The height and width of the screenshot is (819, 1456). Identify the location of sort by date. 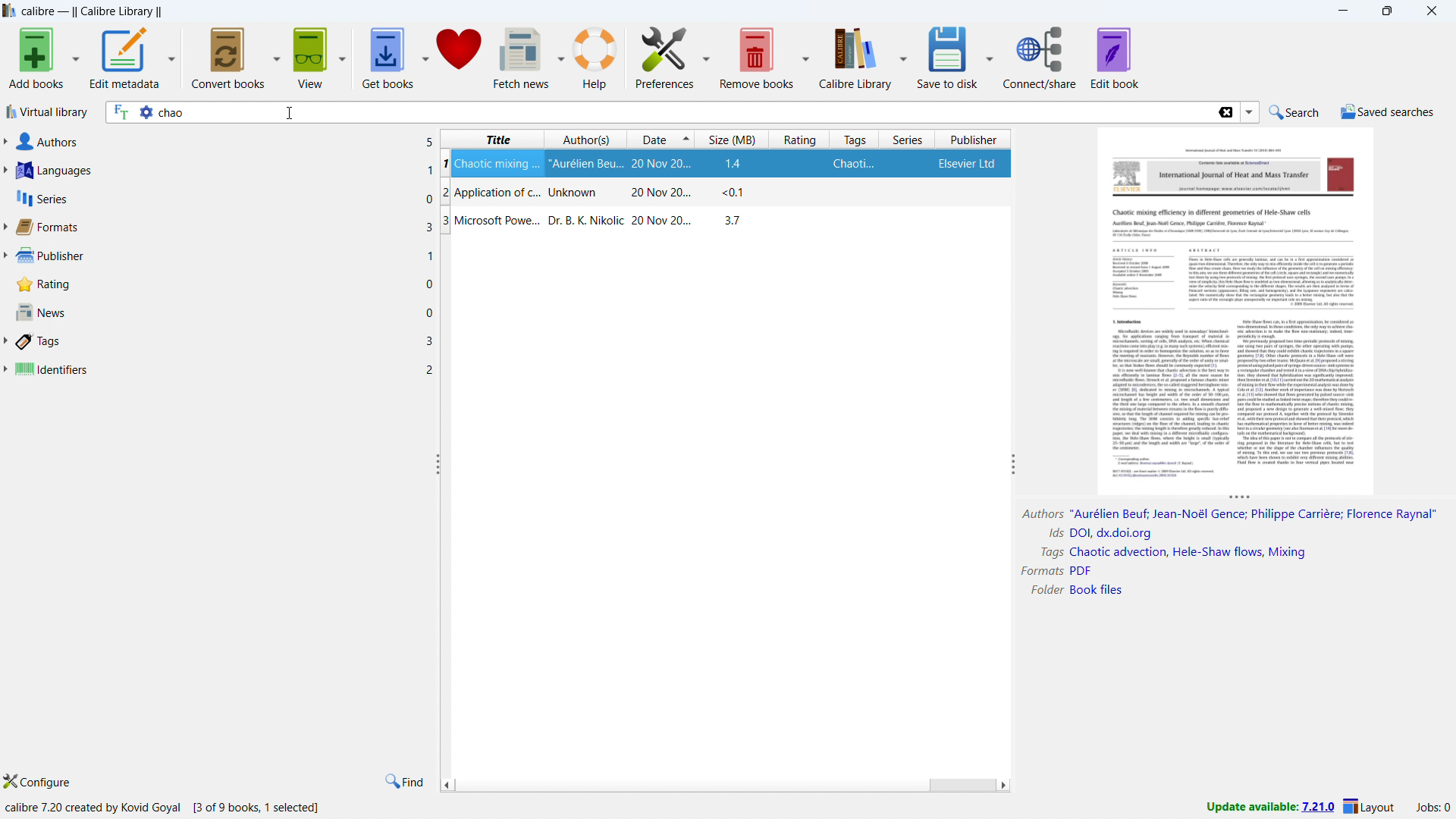
(654, 139).